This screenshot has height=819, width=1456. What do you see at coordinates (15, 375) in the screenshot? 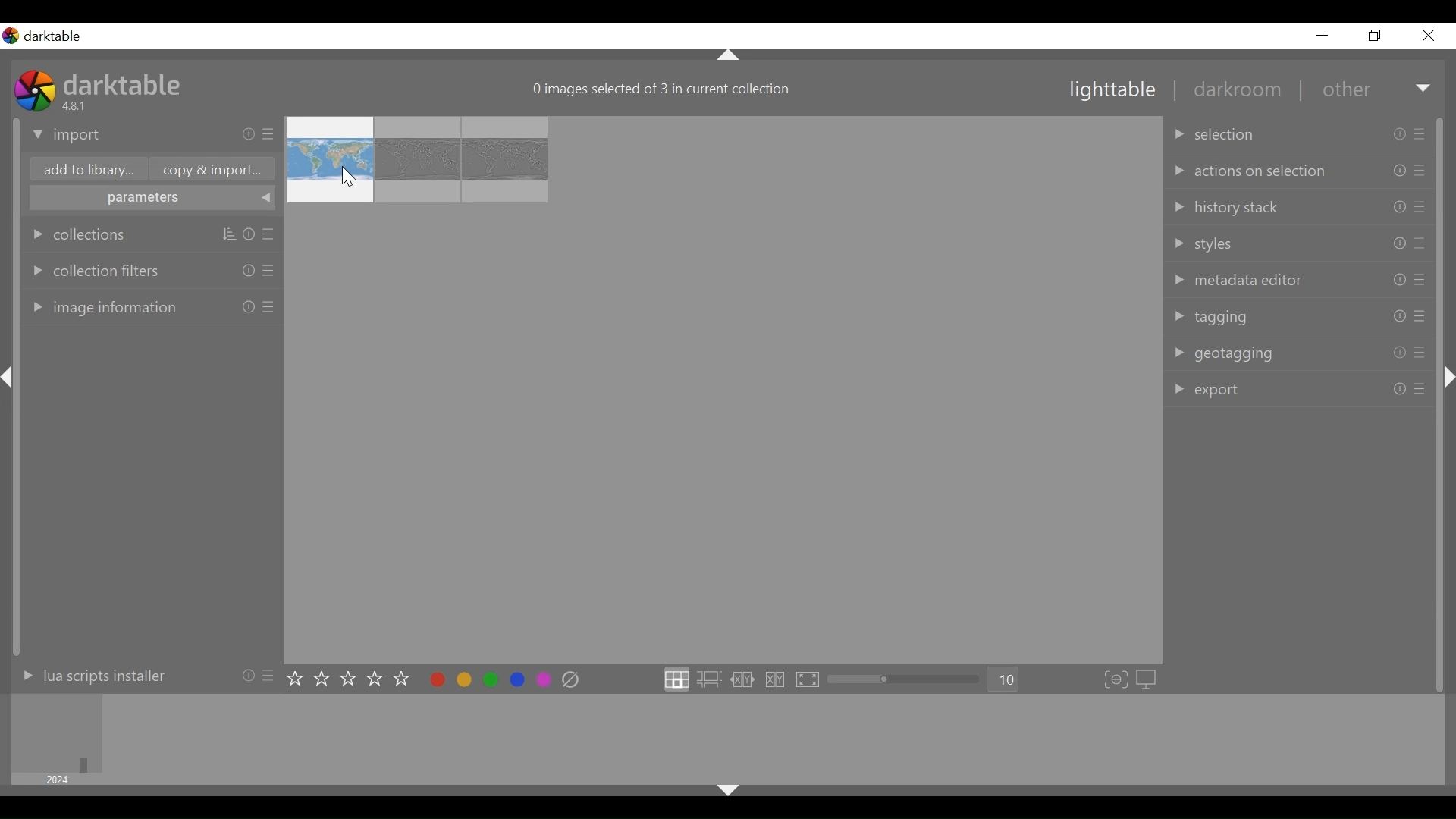
I see `` at bounding box center [15, 375].